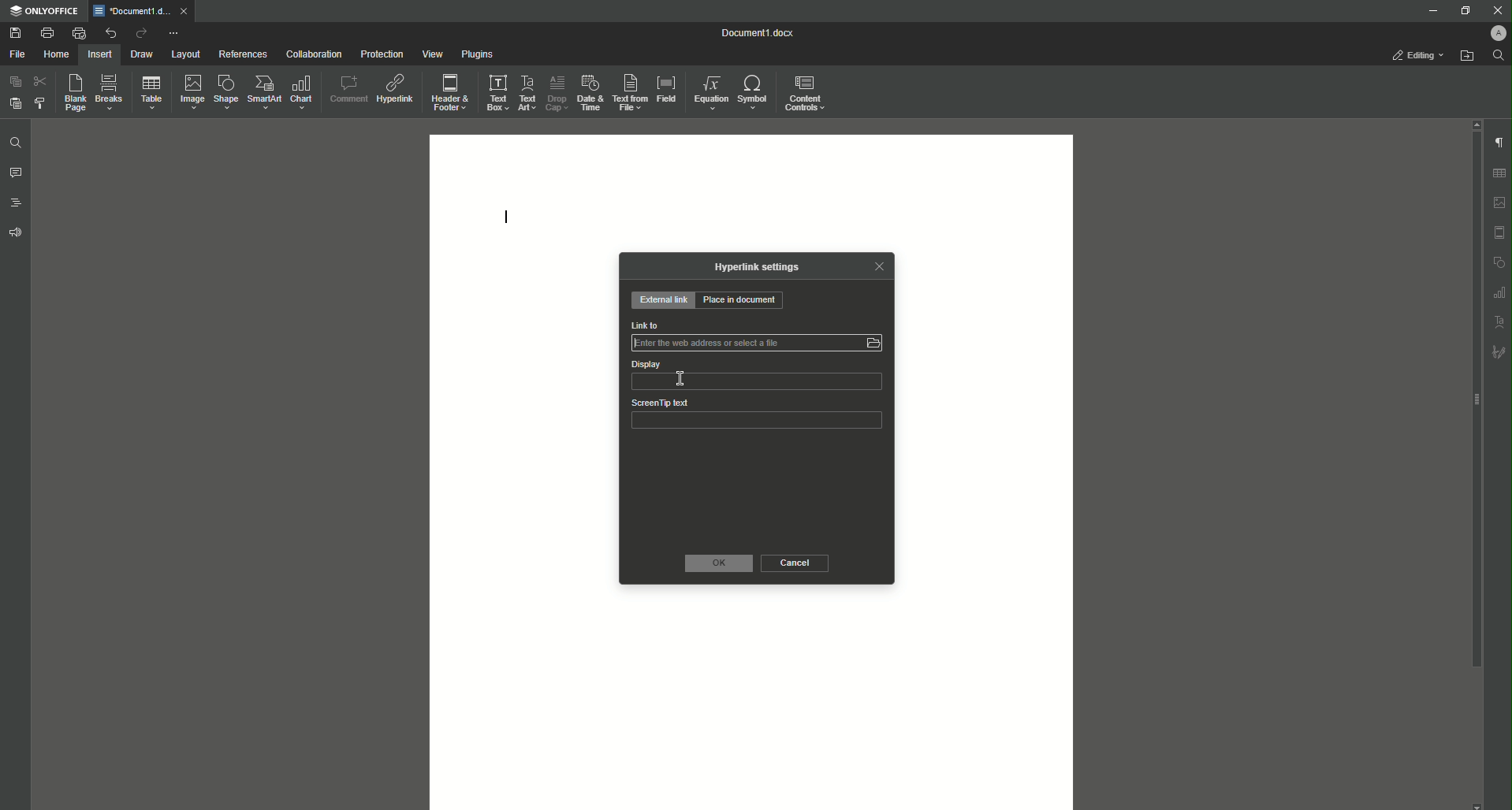 The image size is (1512, 810). What do you see at coordinates (14, 32) in the screenshot?
I see `Save` at bounding box center [14, 32].